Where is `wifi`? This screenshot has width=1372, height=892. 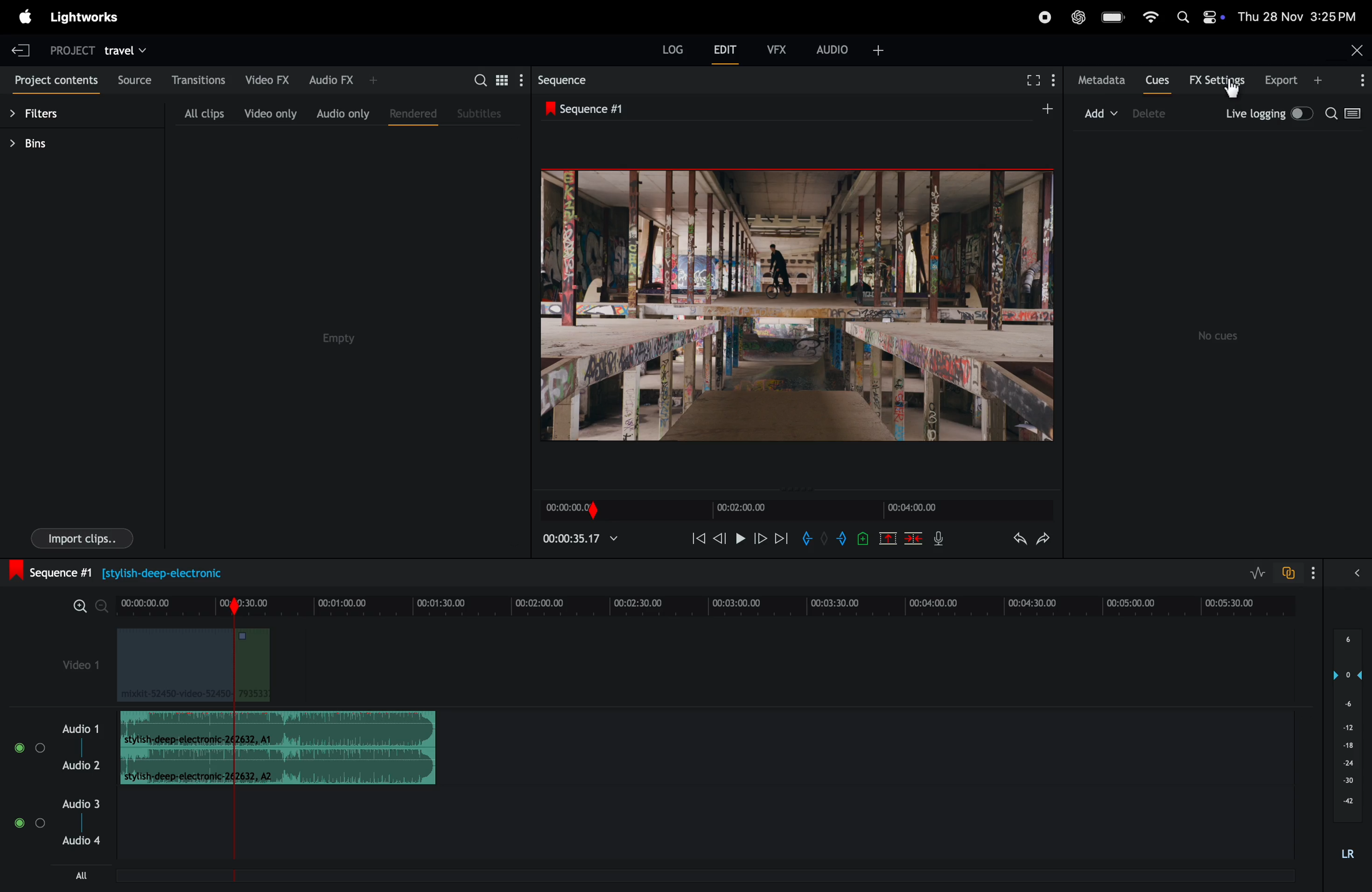
wifi is located at coordinates (1148, 18).